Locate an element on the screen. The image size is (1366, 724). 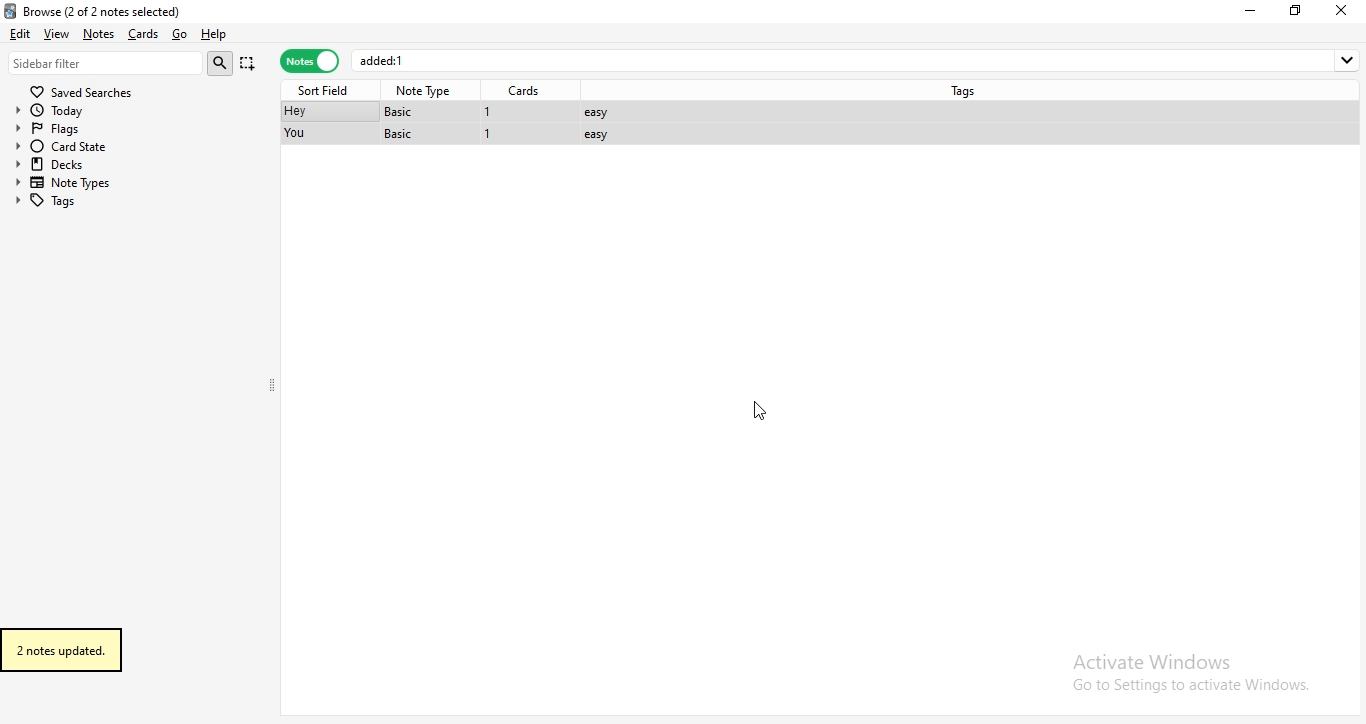
cursor is located at coordinates (757, 413).